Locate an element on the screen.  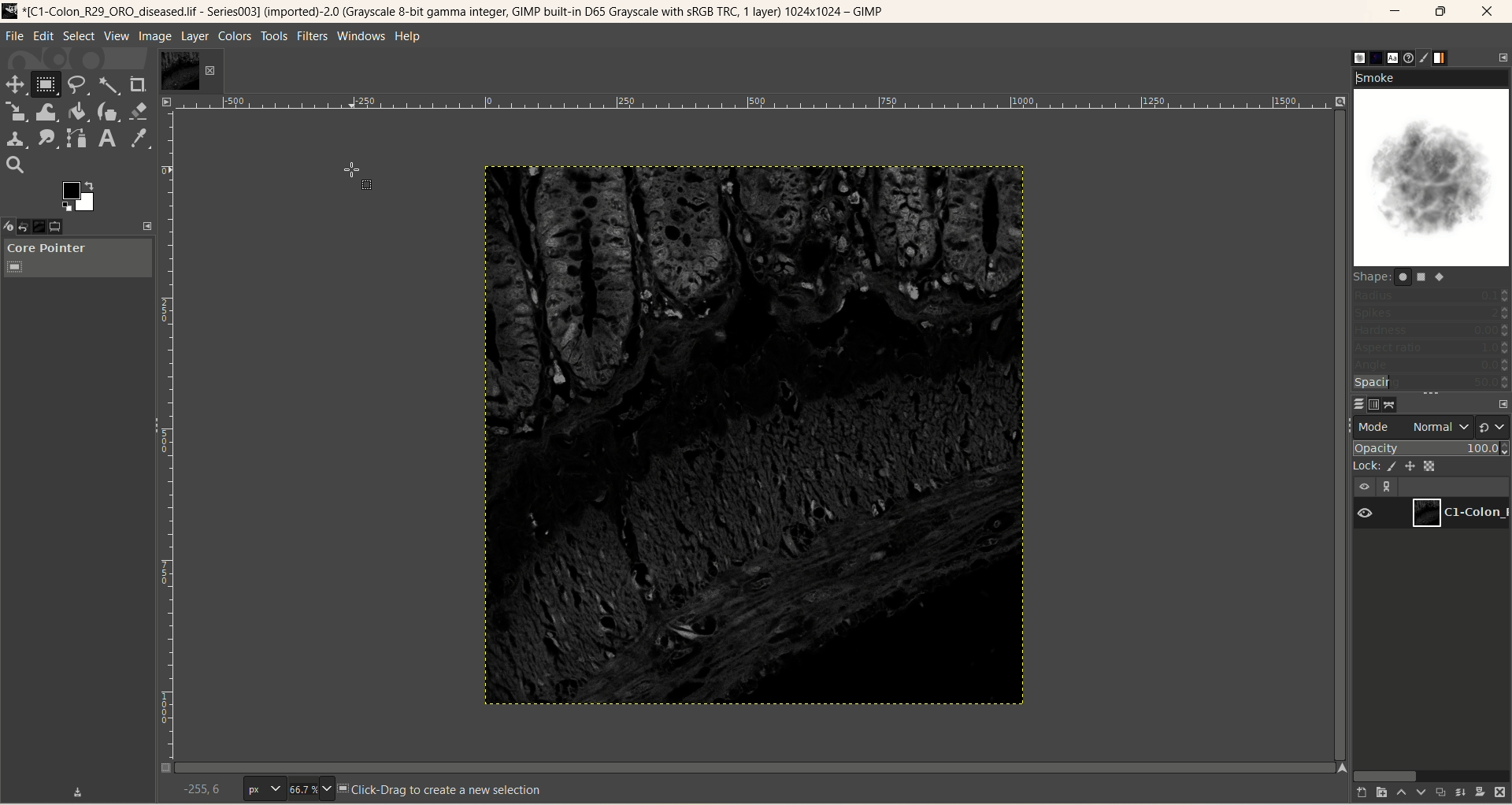
windows is located at coordinates (361, 36).